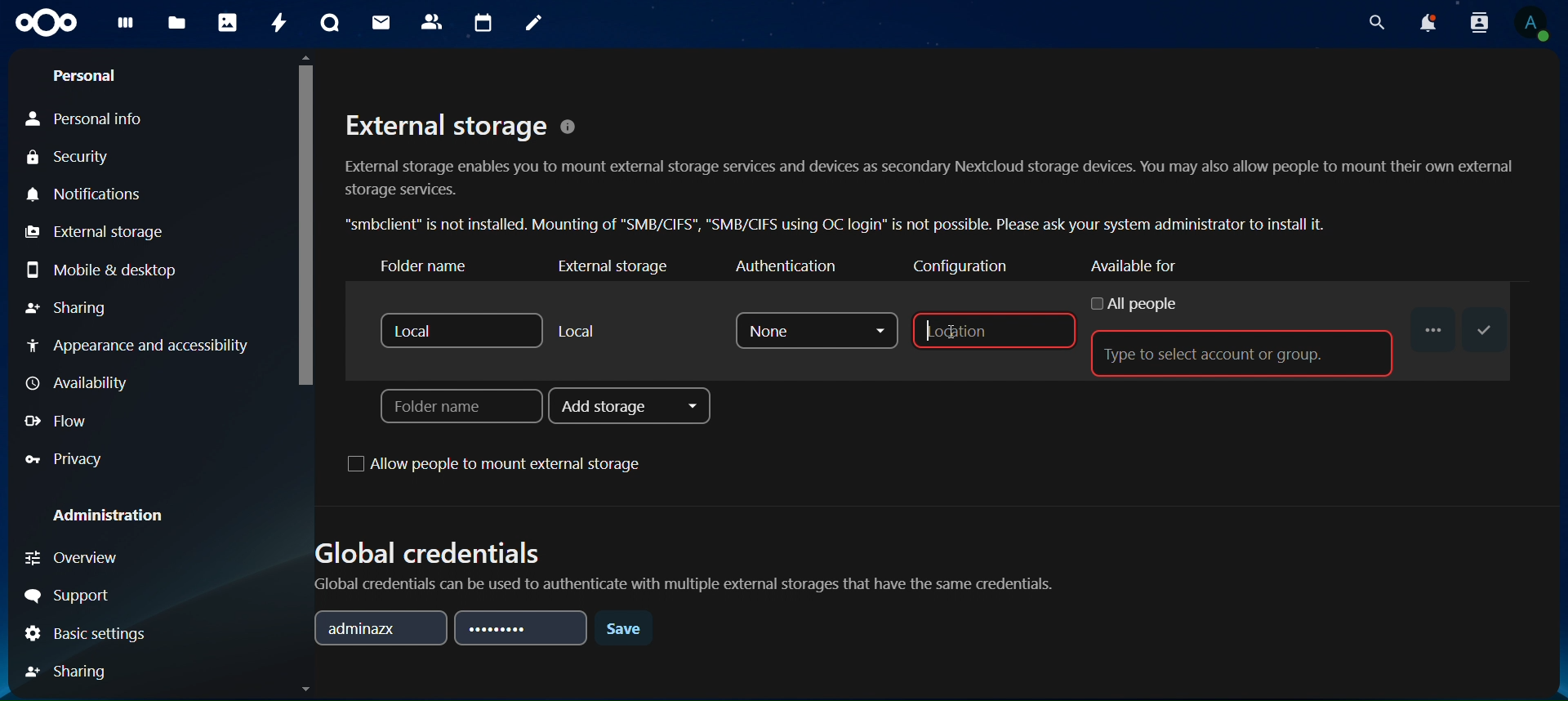 The height and width of the screenshot is (701, 1568). Describe the element at coordinates (785, 267) in the screenshot. I see `authenticator` at that location.